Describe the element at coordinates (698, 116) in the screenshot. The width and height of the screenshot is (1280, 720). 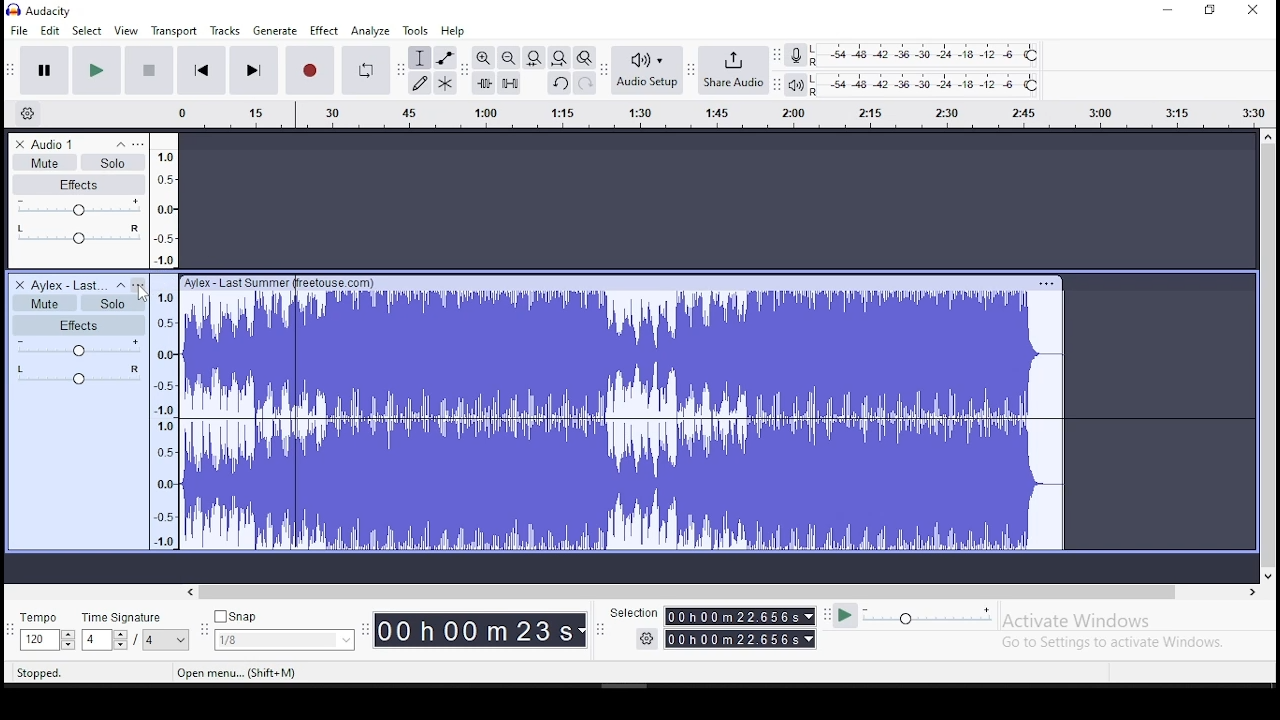
I see `open menu` at that location.